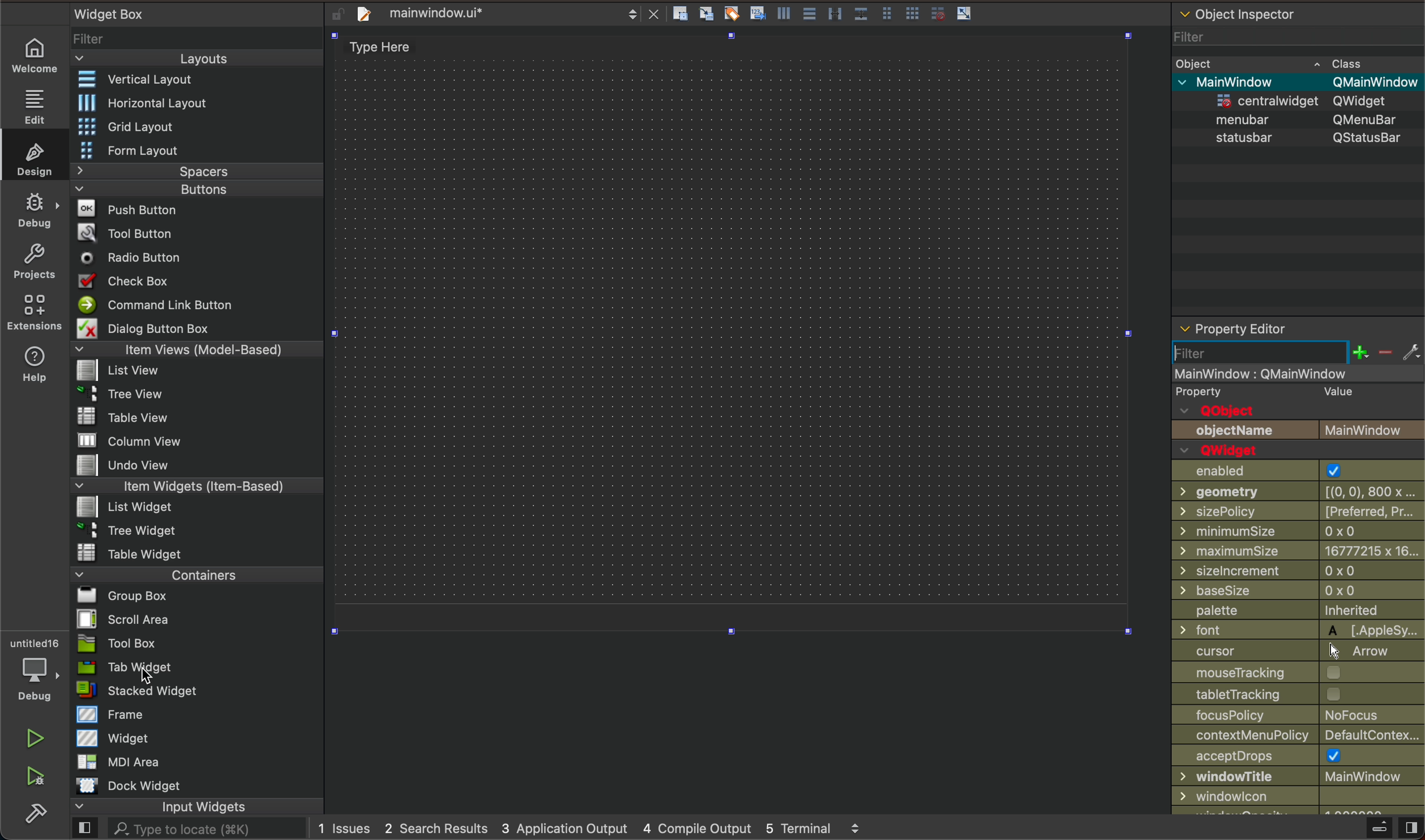  Describe the element at coordinates (1299, 80) in the screenshot. I see `v MainWindow OMainWindow` at that location.